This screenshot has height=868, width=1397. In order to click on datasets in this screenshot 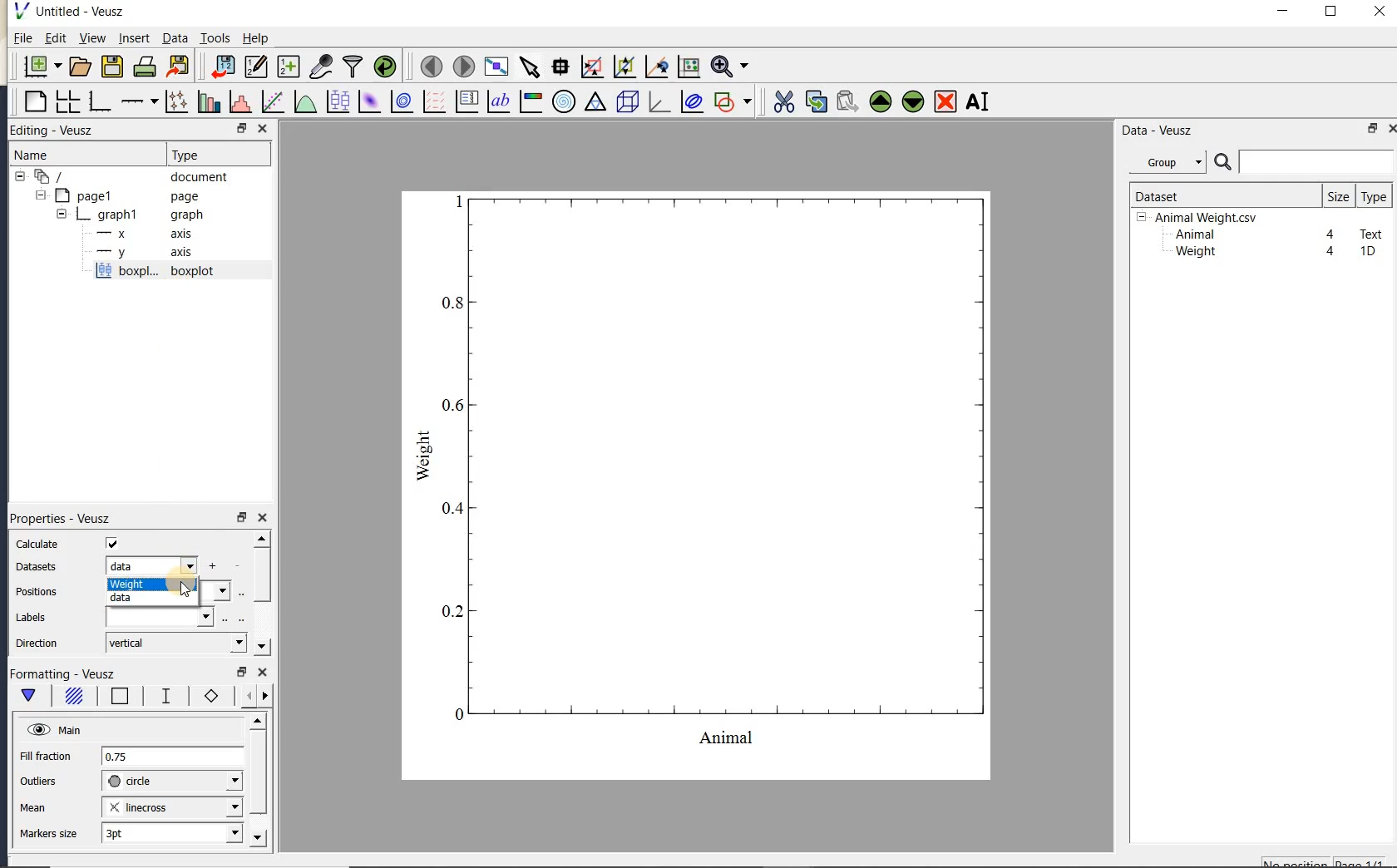, I will do `click(35, 568)`.